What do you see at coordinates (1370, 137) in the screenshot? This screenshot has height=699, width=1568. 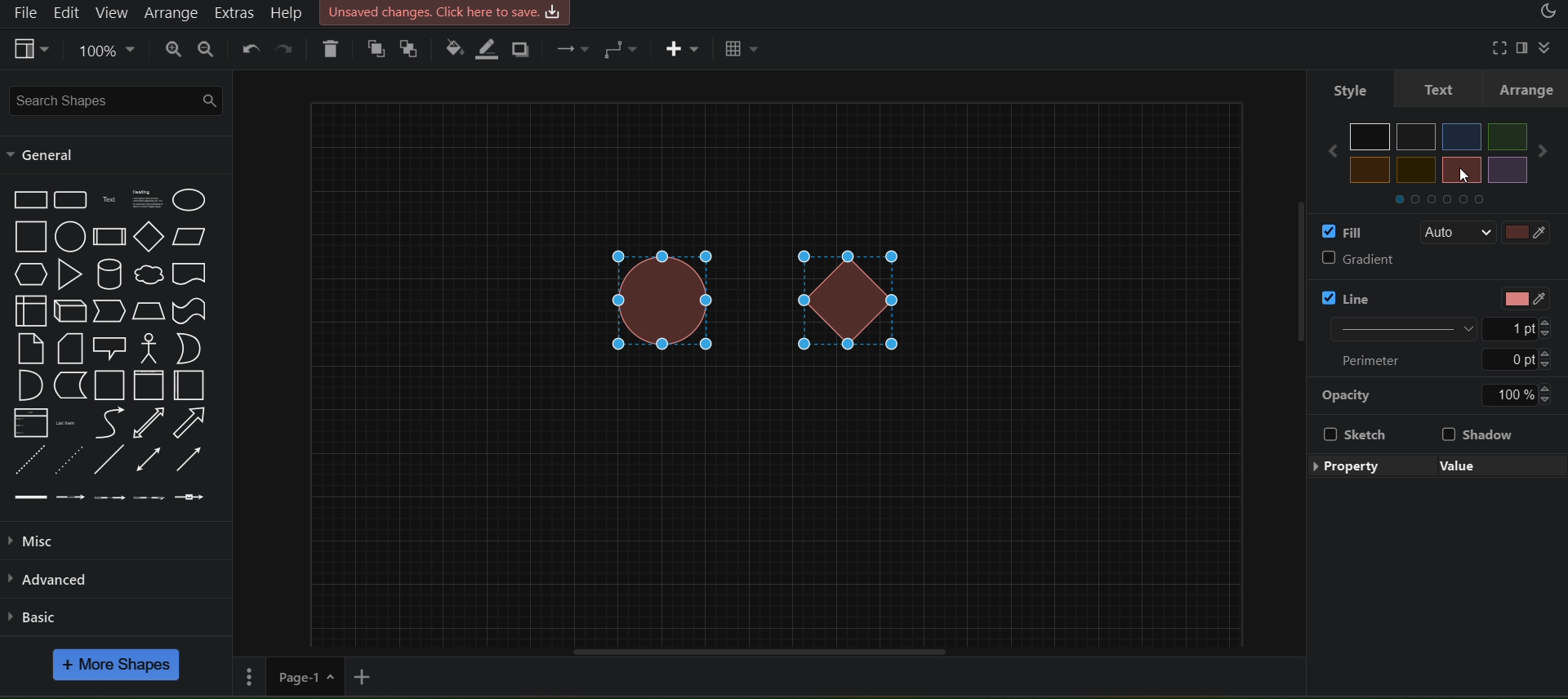 I see `` at bounding box center [1370, 137].